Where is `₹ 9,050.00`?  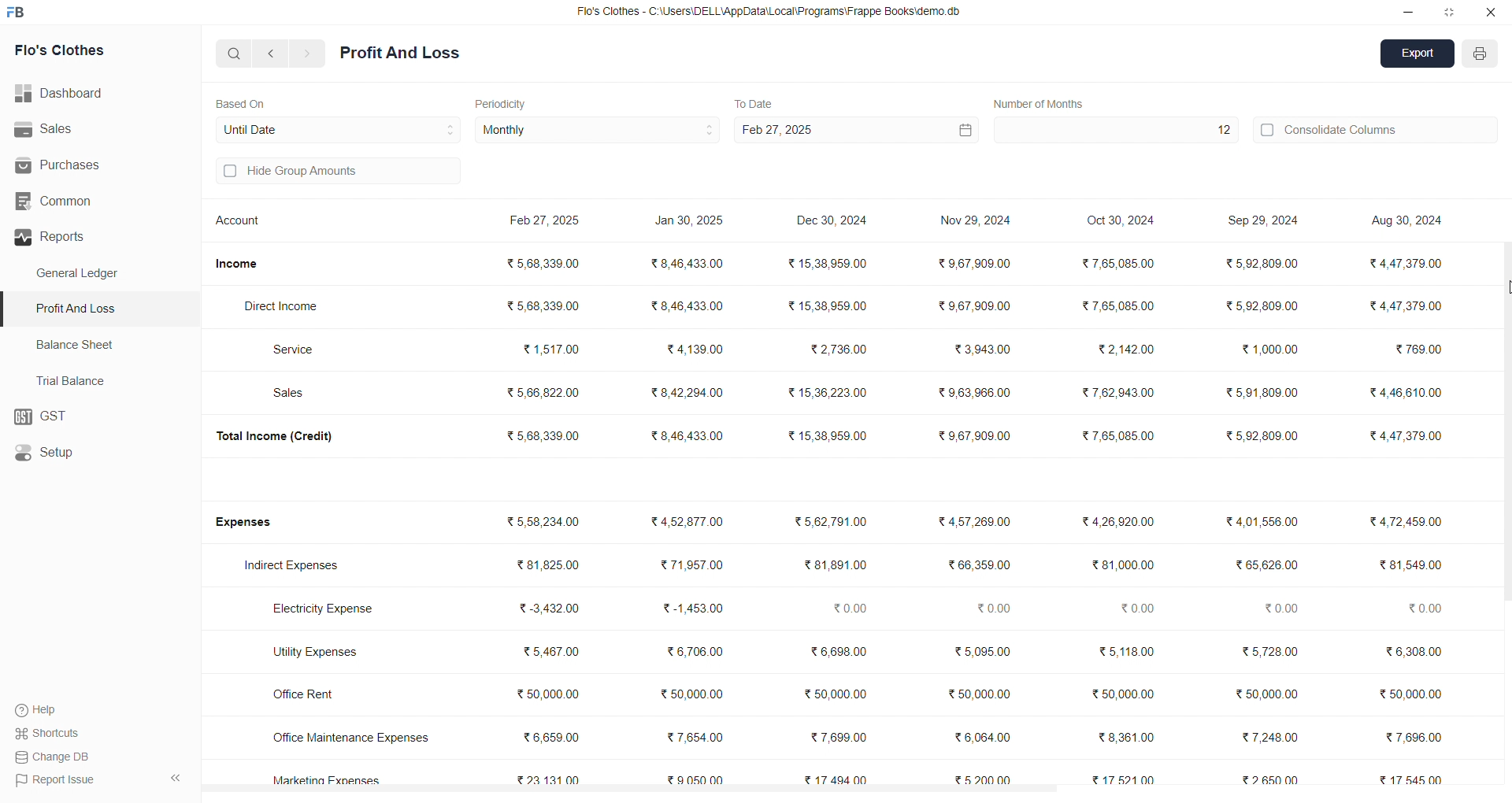
₹ 9,050.00 is located at coordinates (700, 783).